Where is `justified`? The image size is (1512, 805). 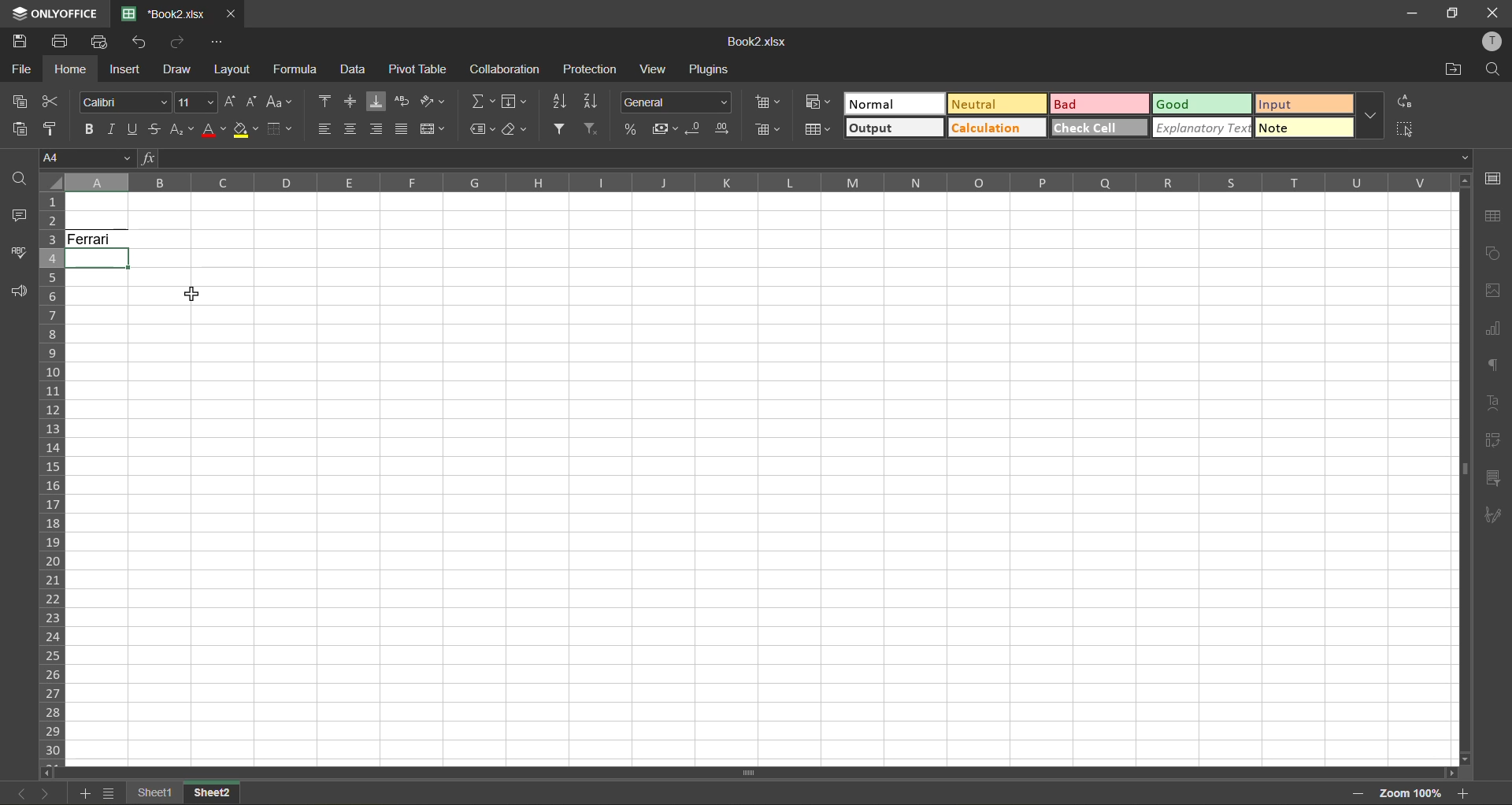
justified is located at coordinates (399, 130).